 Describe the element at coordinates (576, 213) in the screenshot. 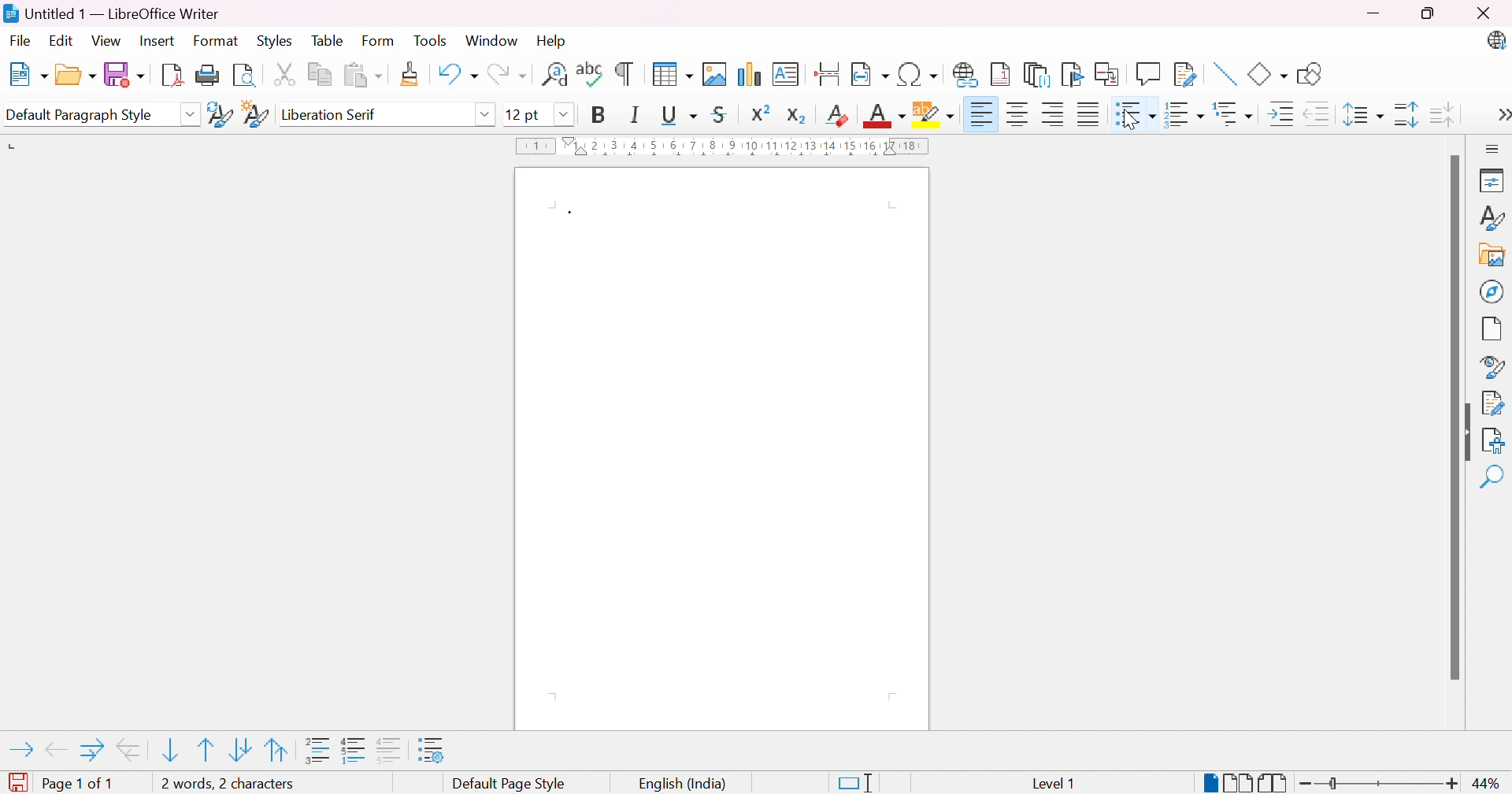

I see `Bullet point` at that location.